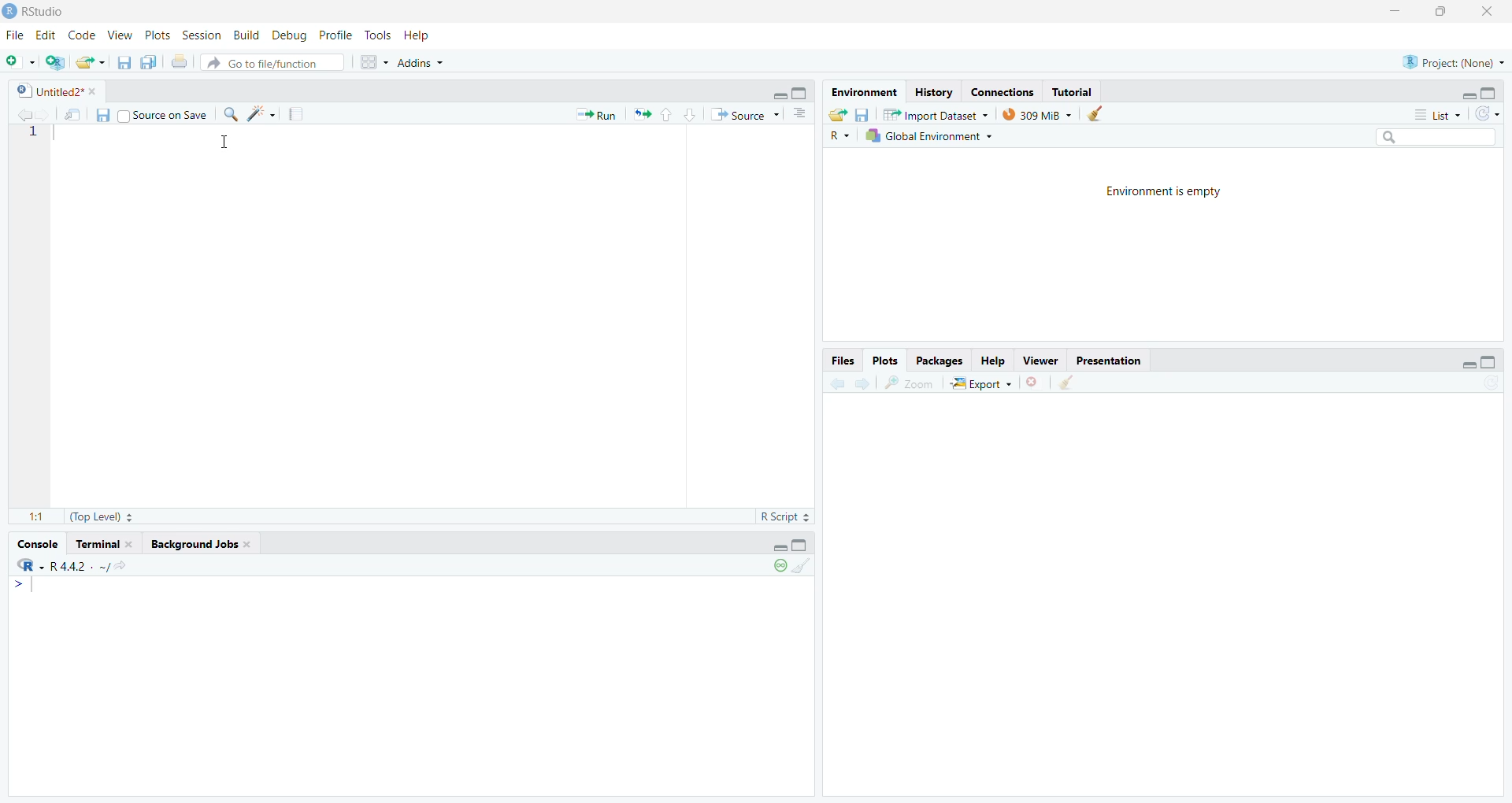 The width and height of the screenshot is (1512, 803). I want to click on Tutorial, so click(1077, 90).